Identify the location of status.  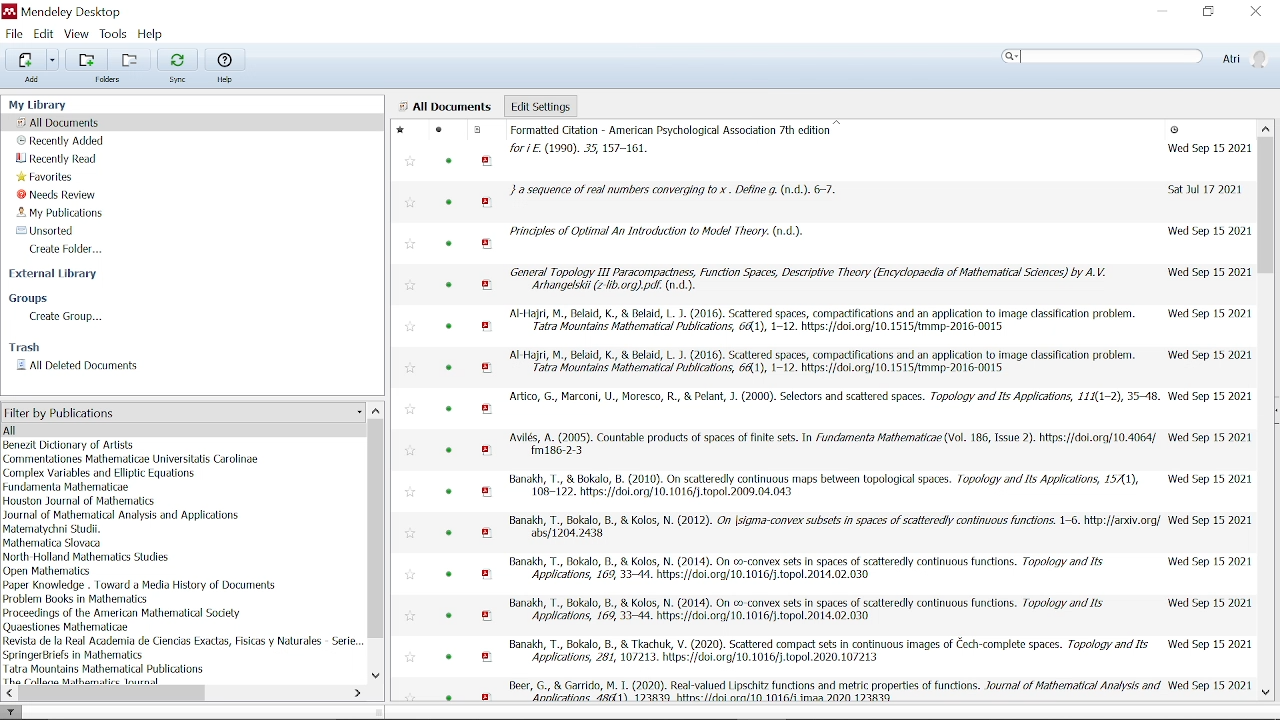
(450, 243).